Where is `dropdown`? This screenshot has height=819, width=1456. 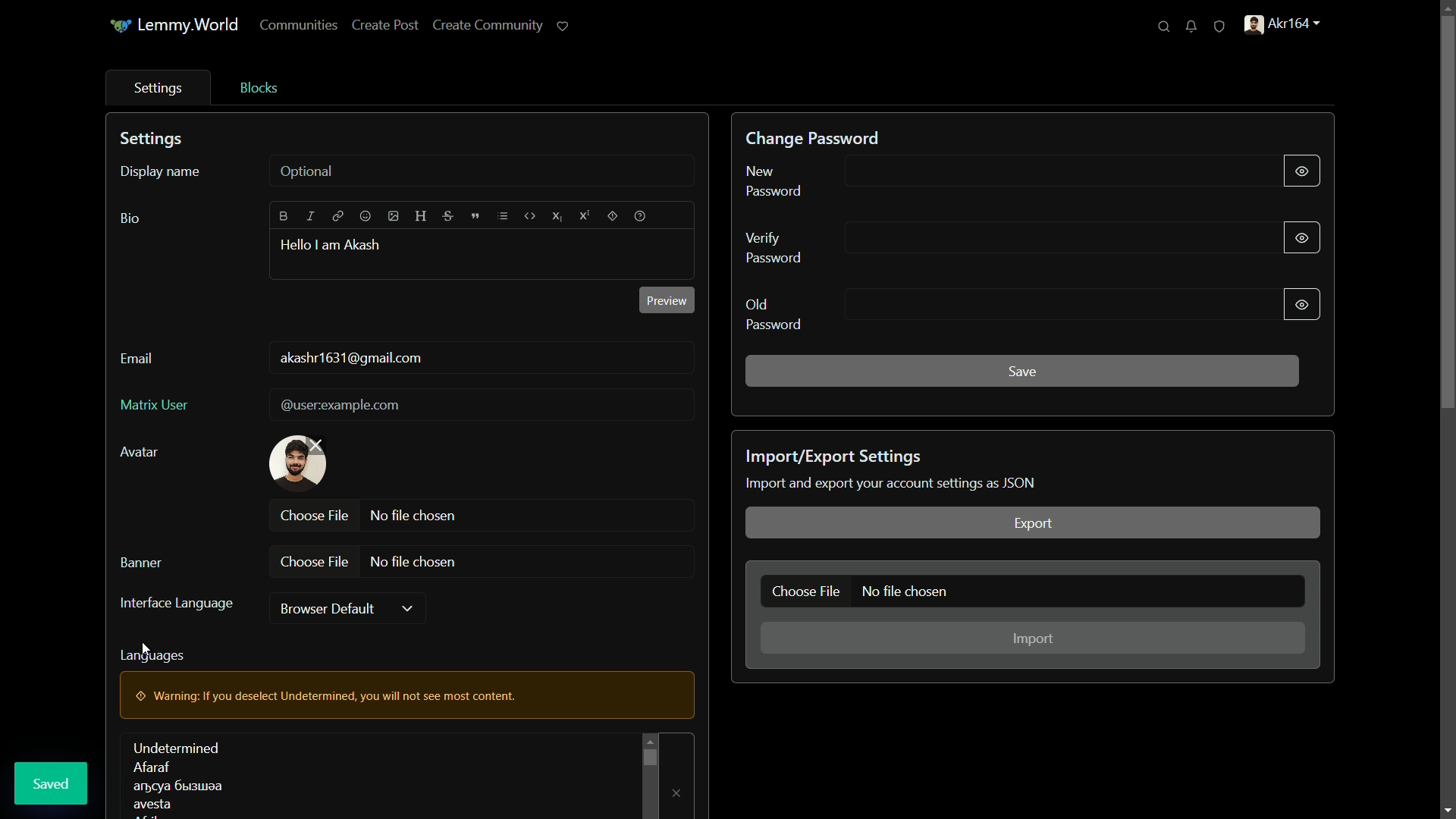
dropdown is located at coordinates (407, 610).